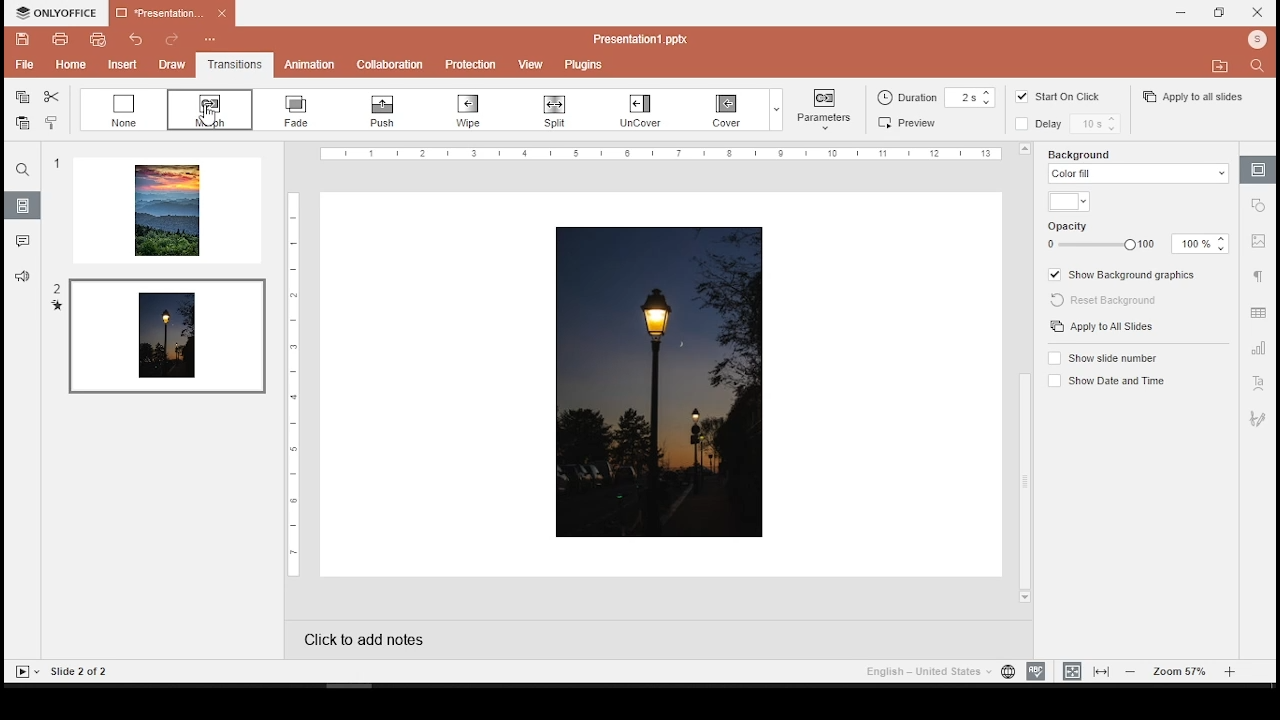  What do you see at coordinates (821, 112) in the screenshot?
I see `change slide size` at bounding box center [821, 112].